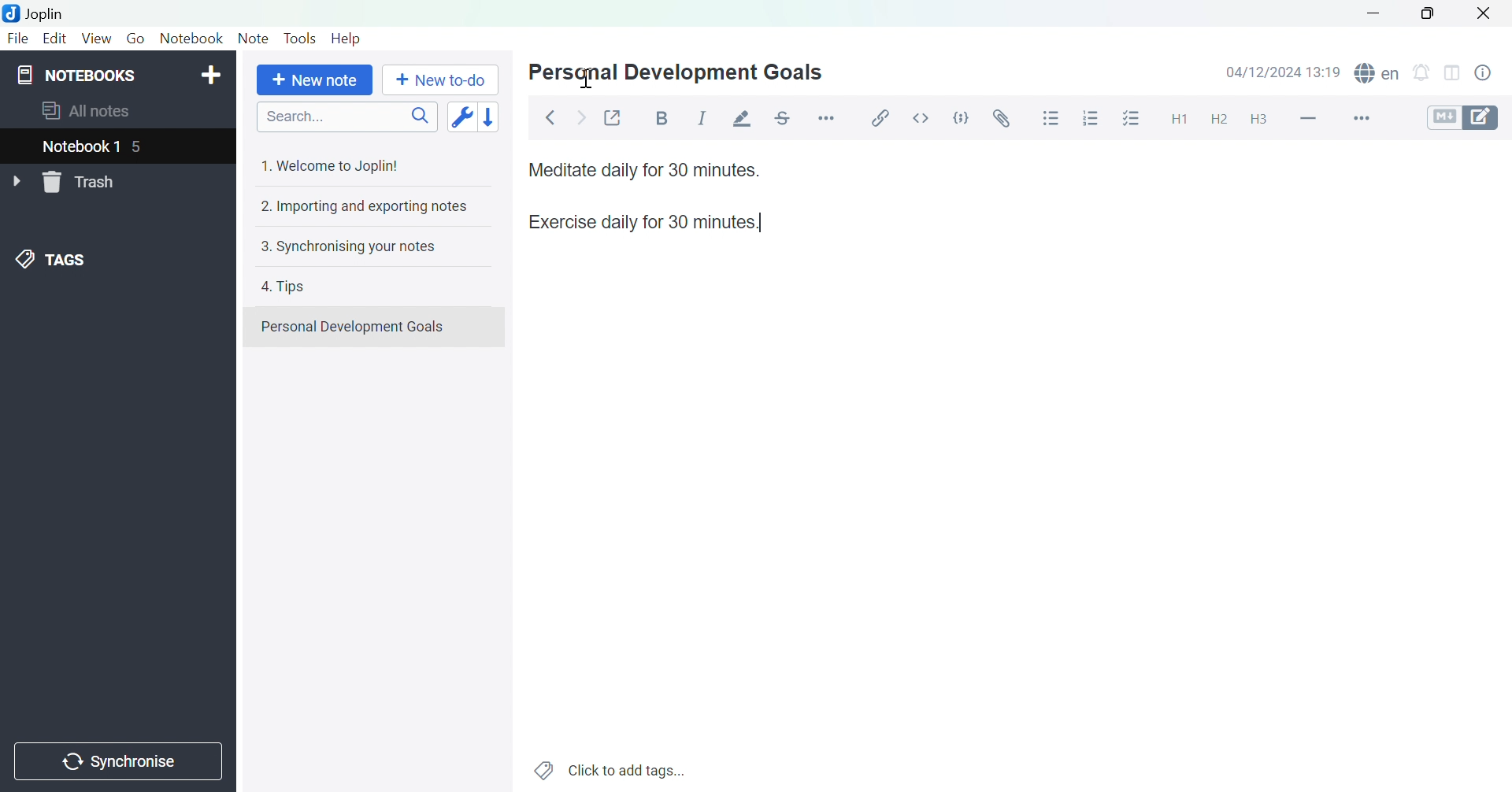  Describe the element at coordinates (1308, 118) in the screenshot. I see `Horizontal line` at that location.